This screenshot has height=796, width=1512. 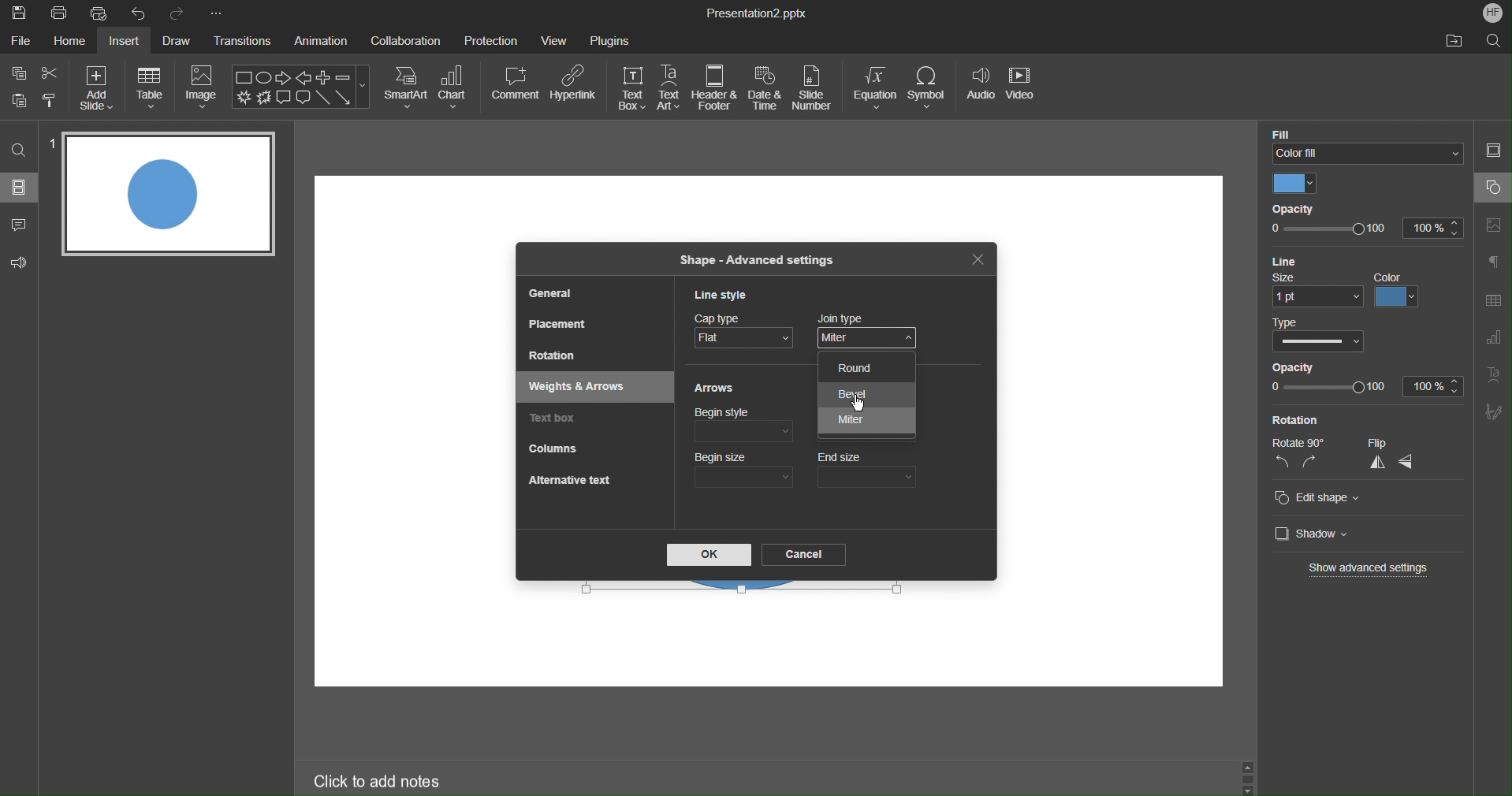 What do you see at coordinates (516, 83) in the screenshot?
I see `Comment` at bounding box center [516, 83].